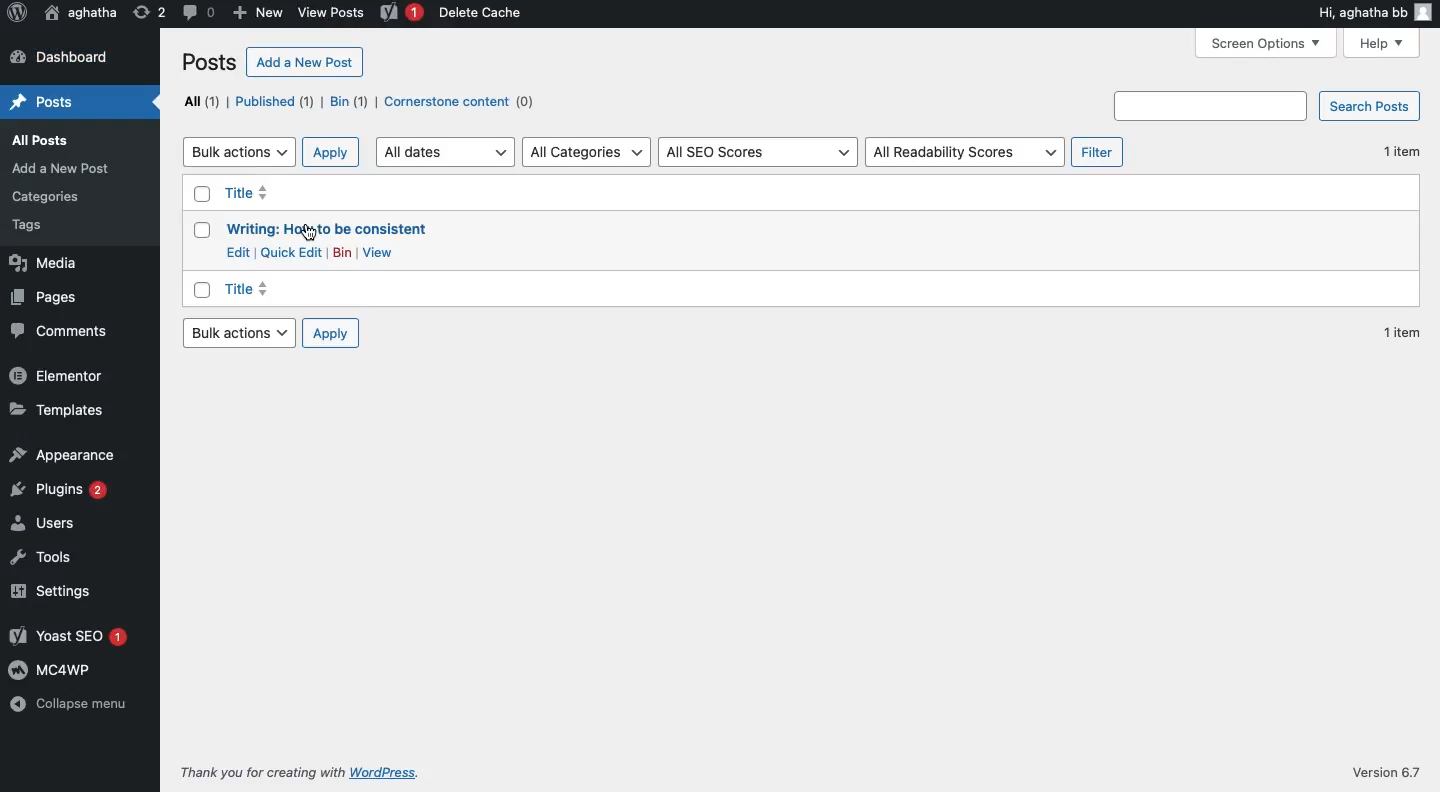 This screenshot has width=1440, height=792. What do you see at coordinates (334, 227) in the screenshot?
I see `Writing: How to be consistent` at bounding box center [334, 227].